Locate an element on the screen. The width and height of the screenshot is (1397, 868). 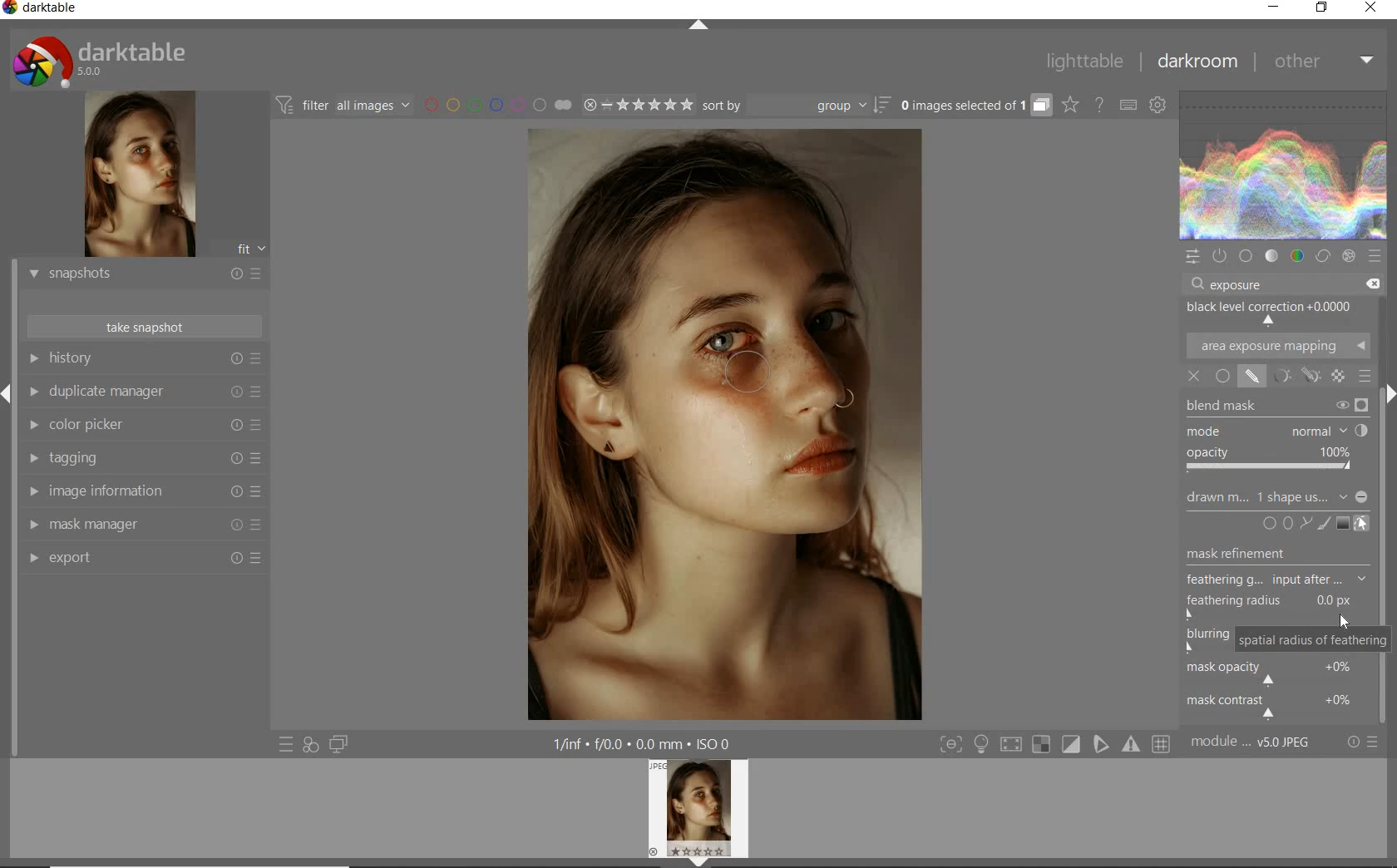
blurring is located at coordinates (1207, 635).